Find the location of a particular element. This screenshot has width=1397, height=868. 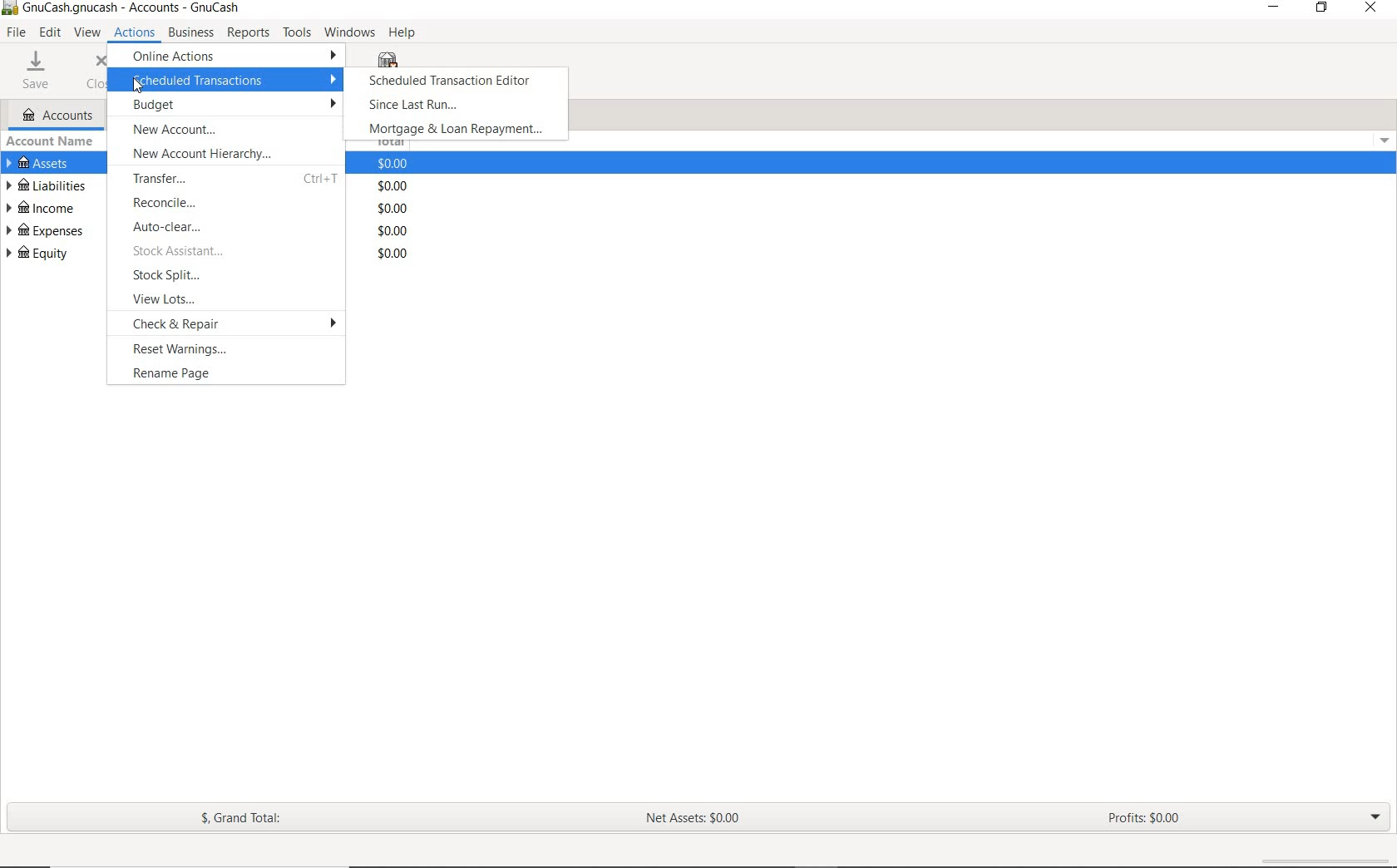

total is located at coordinates (392, 254).